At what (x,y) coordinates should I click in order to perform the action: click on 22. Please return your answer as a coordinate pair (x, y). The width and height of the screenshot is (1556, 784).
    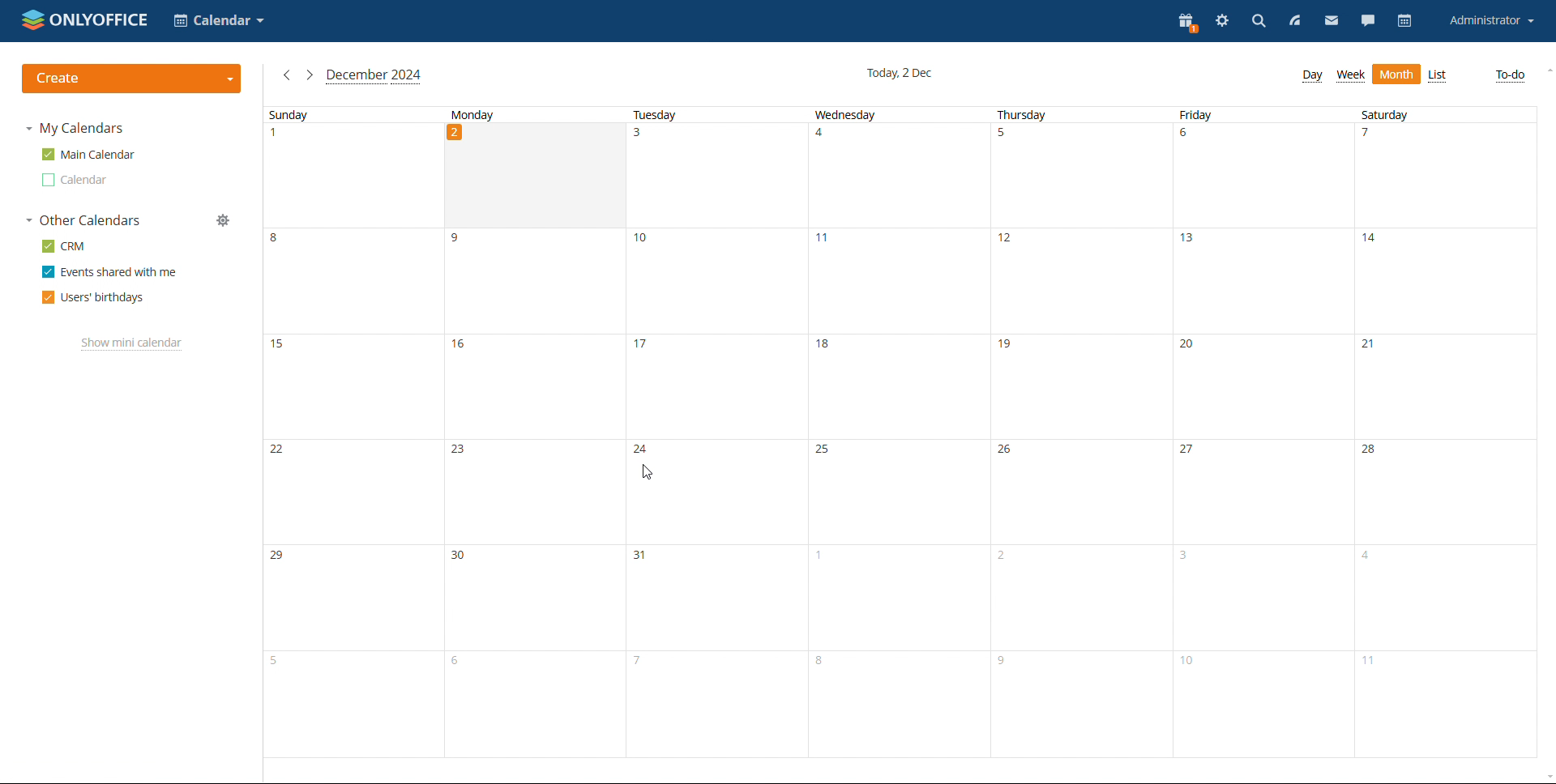
    Looking at the image, I should click on (276, 450).